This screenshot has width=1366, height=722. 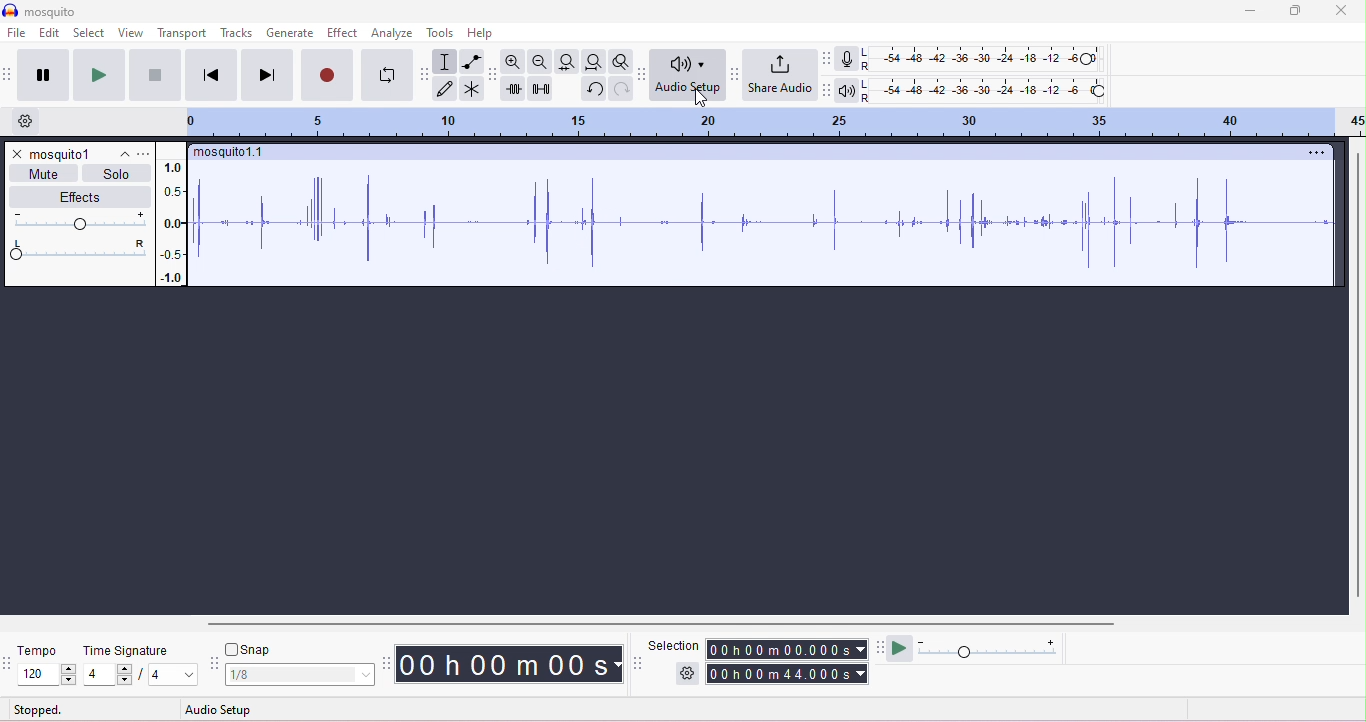 I want to click on zoom in, so click(x=538, y=62).